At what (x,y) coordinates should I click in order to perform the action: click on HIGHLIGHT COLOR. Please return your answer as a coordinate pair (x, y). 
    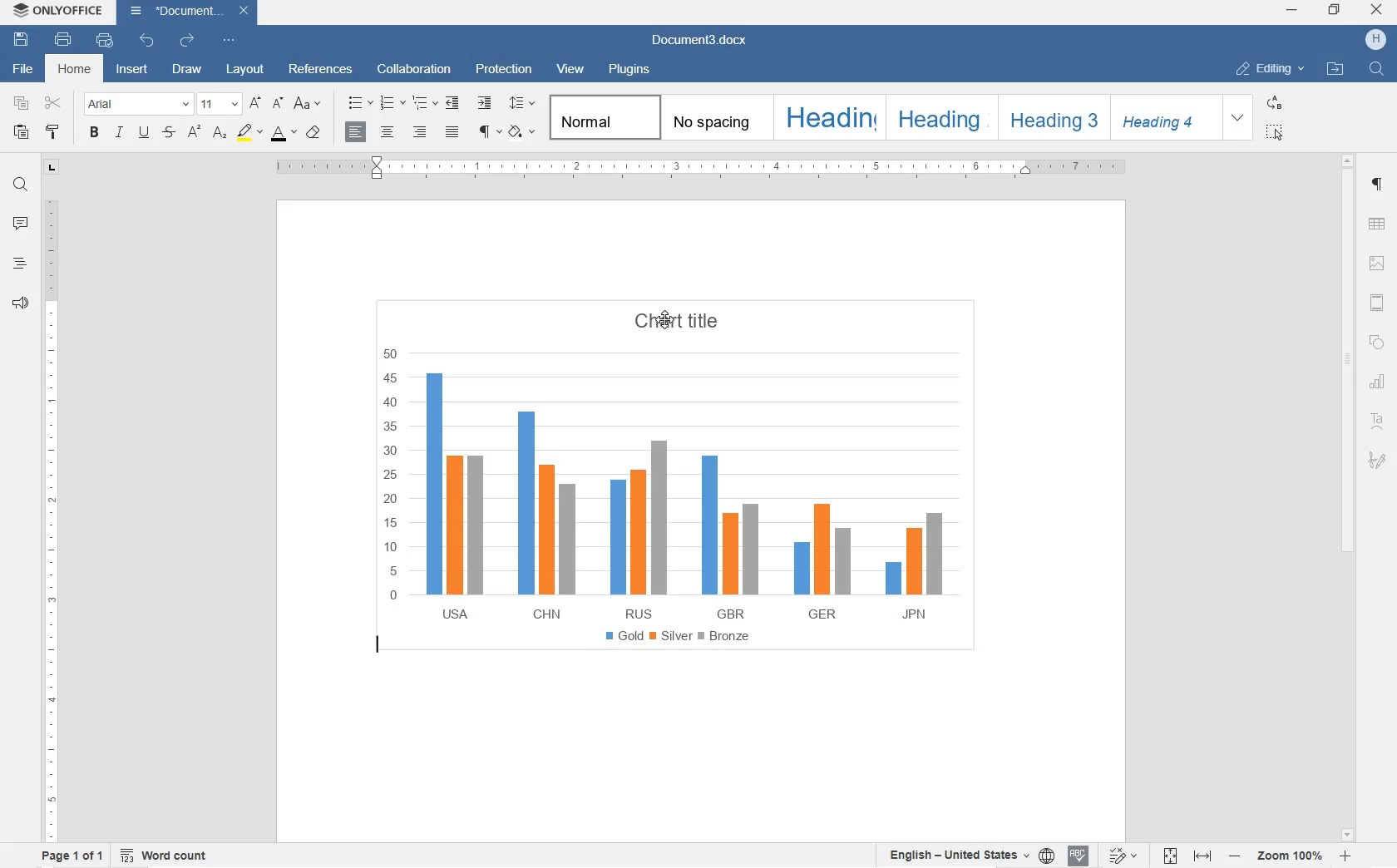
    Looking at the image, I should click on (251, 135).